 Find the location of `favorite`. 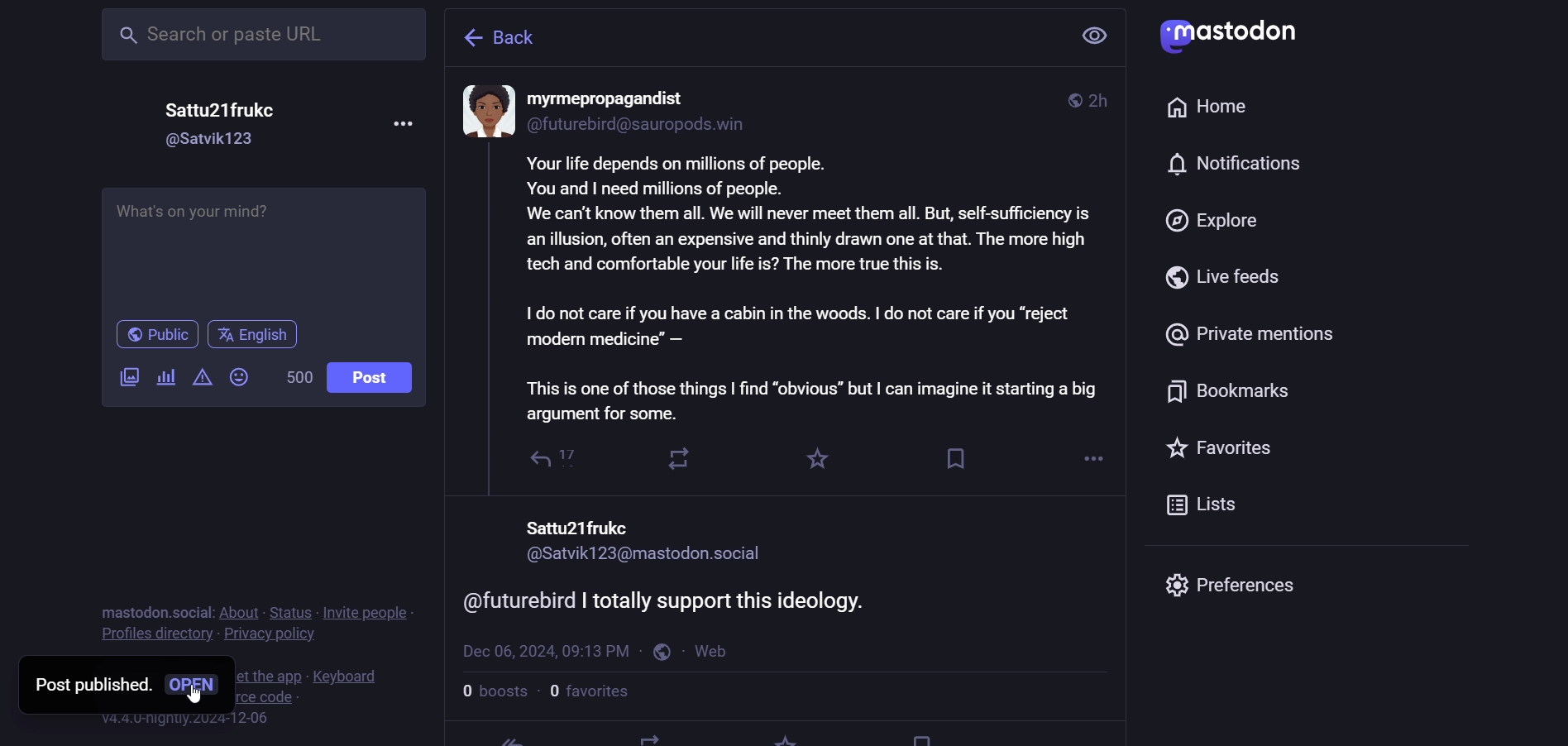

favorite is located at coordinates (786, 734).